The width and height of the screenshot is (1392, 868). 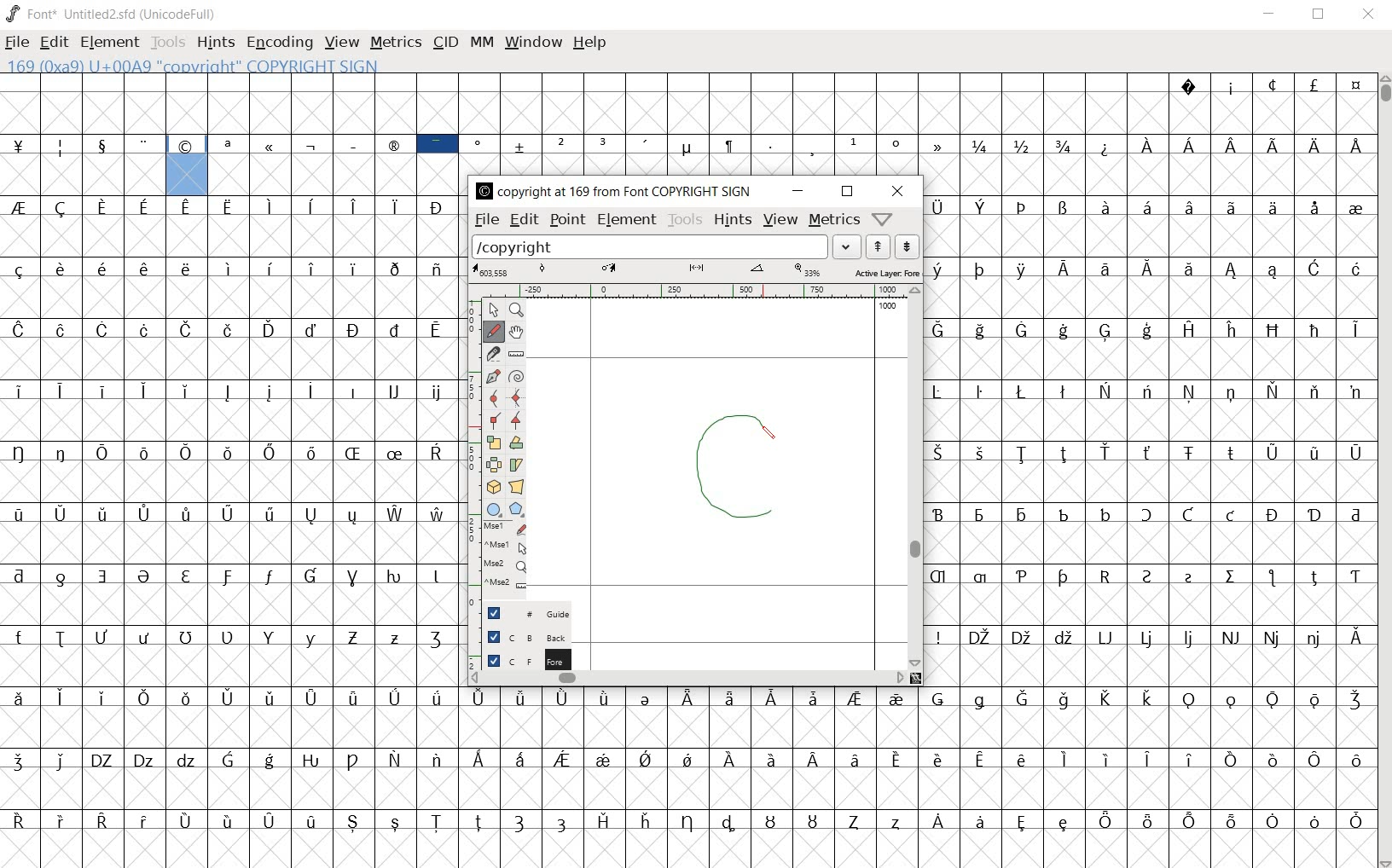 What do you see at coordinates (444, 43) in the screenshot?
I see `cid` at bounding box center [444, 43].